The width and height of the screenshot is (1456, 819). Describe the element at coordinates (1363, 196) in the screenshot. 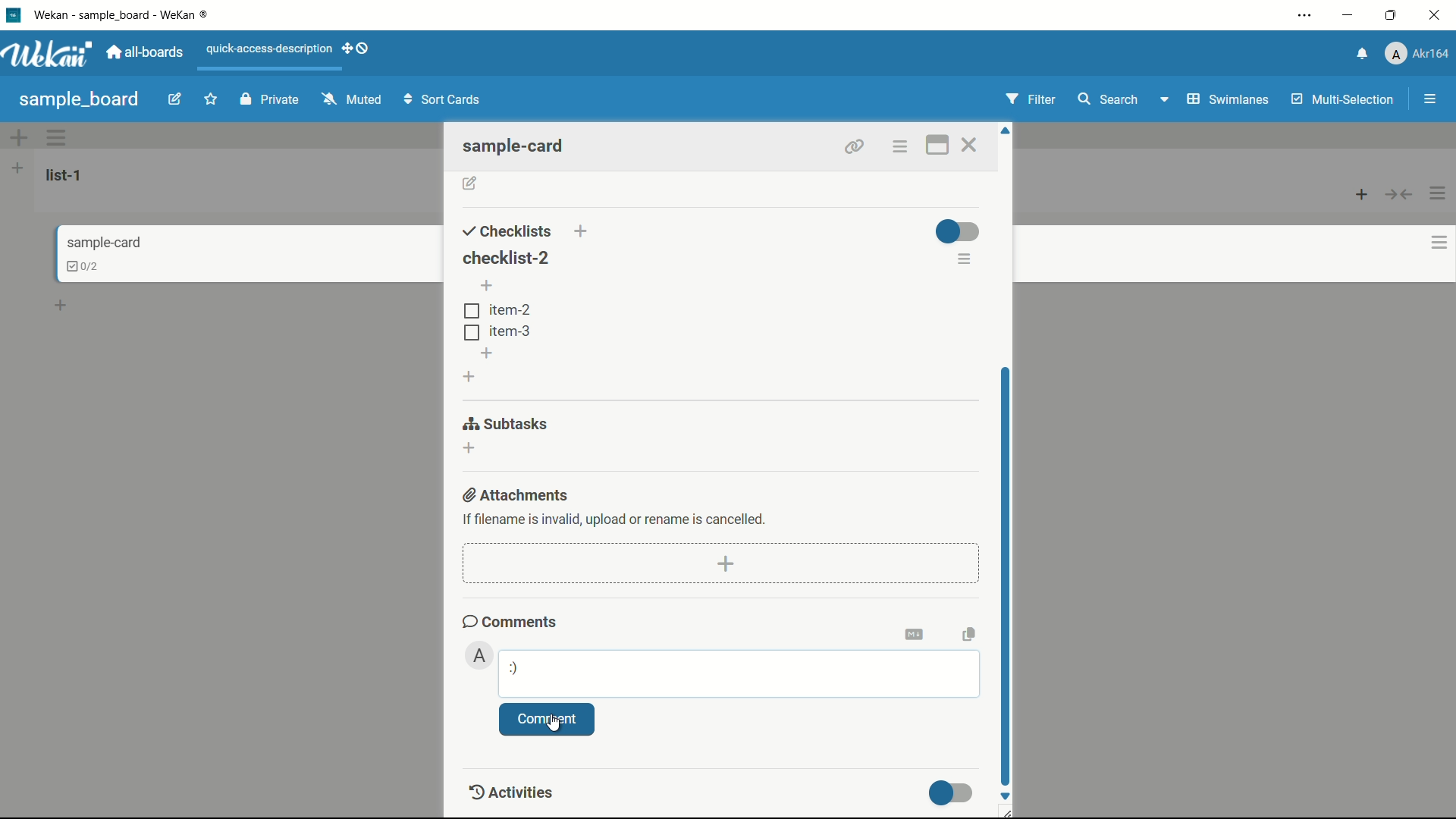

I see `add card to top of list` at that location.